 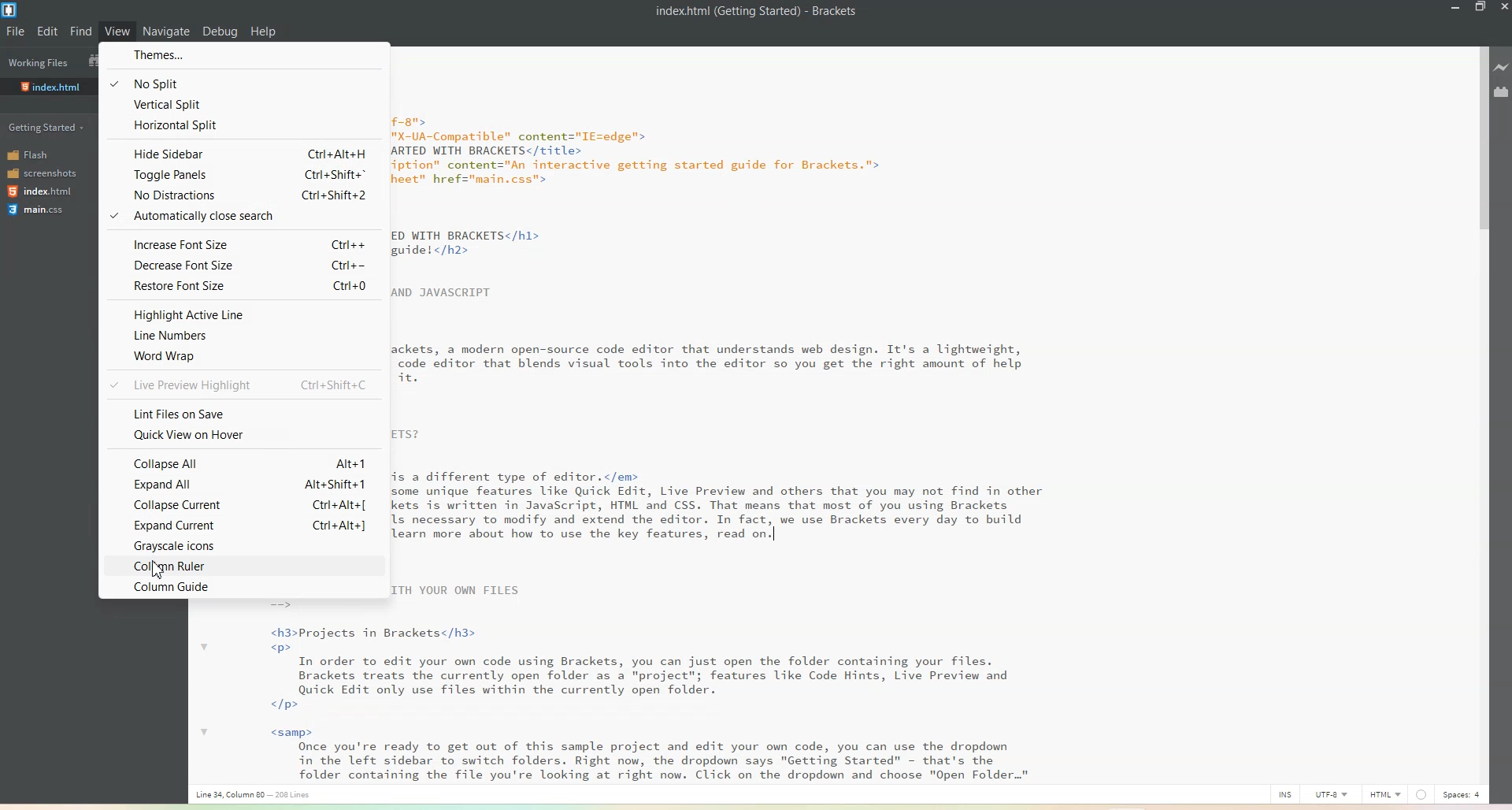 What do you see at coordinates (242, 102) in the screenshot?
I see `Vertical Split` at bounding box center [242, 102].